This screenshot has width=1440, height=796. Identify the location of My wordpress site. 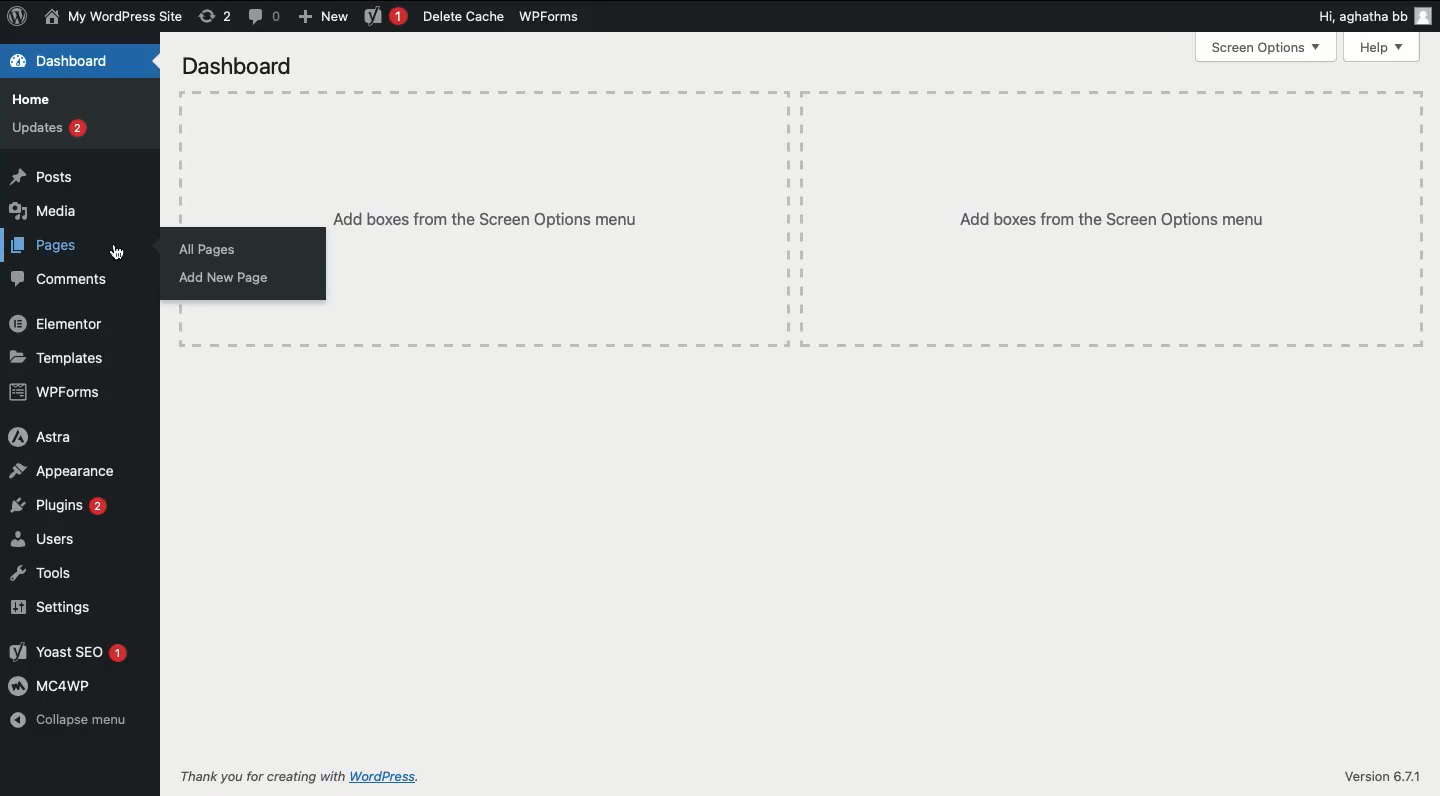
(116, 18).